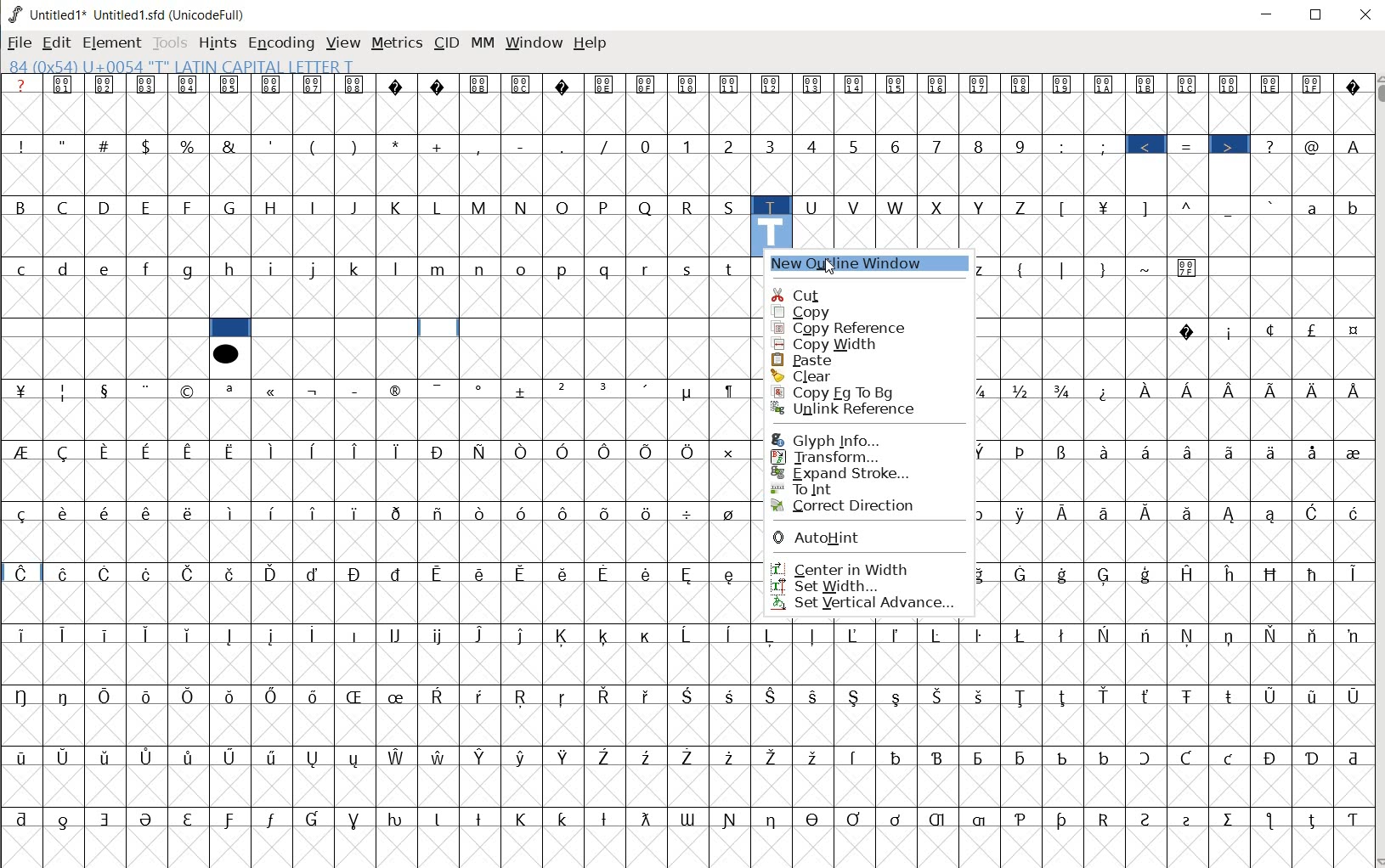  Describe the element at coordinates (233, 637) in the screenshot. I see `Symbol` at that location.